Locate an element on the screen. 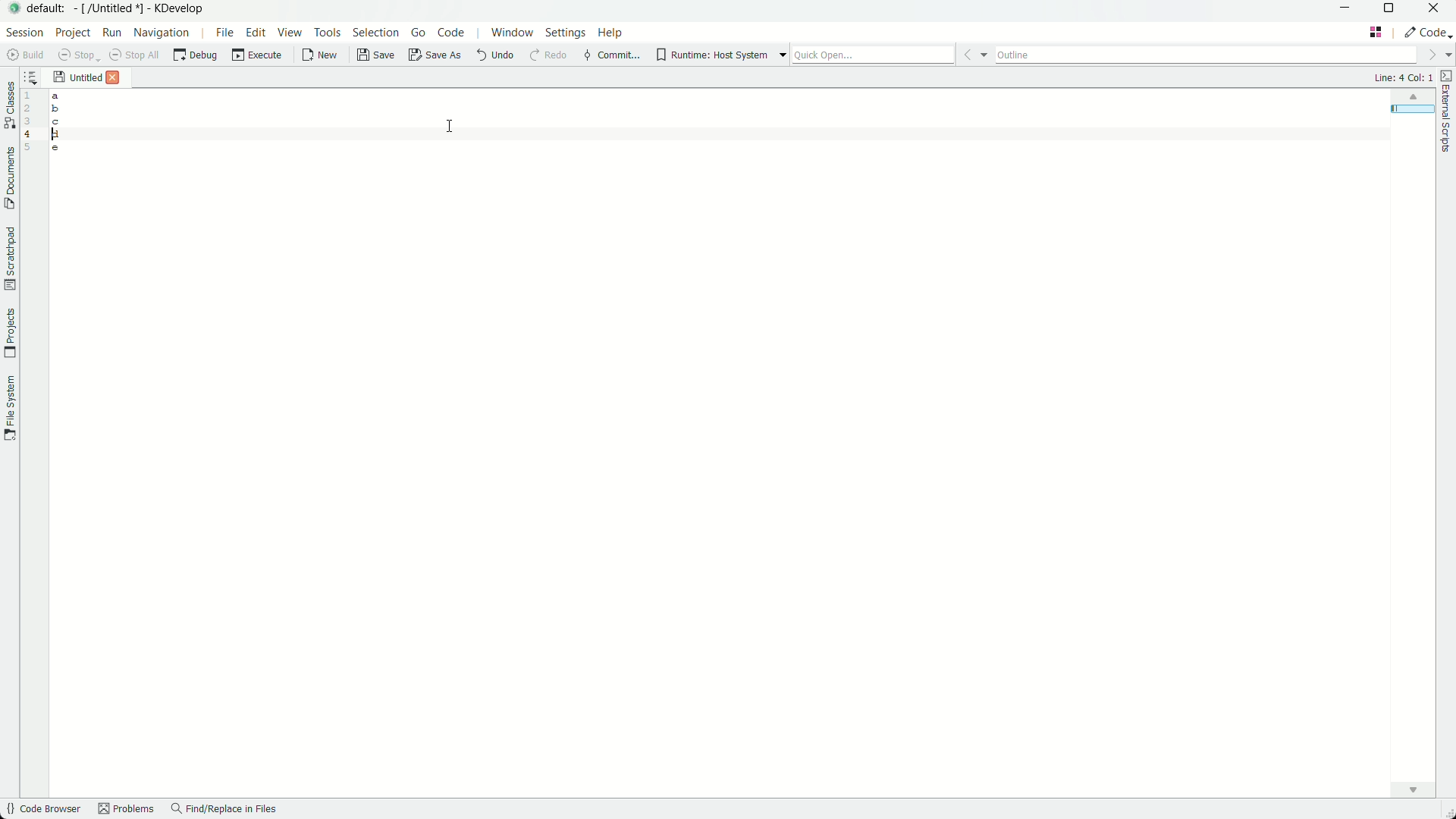 The image size is (1456, 819). save as is located at coordinates (434, 58).